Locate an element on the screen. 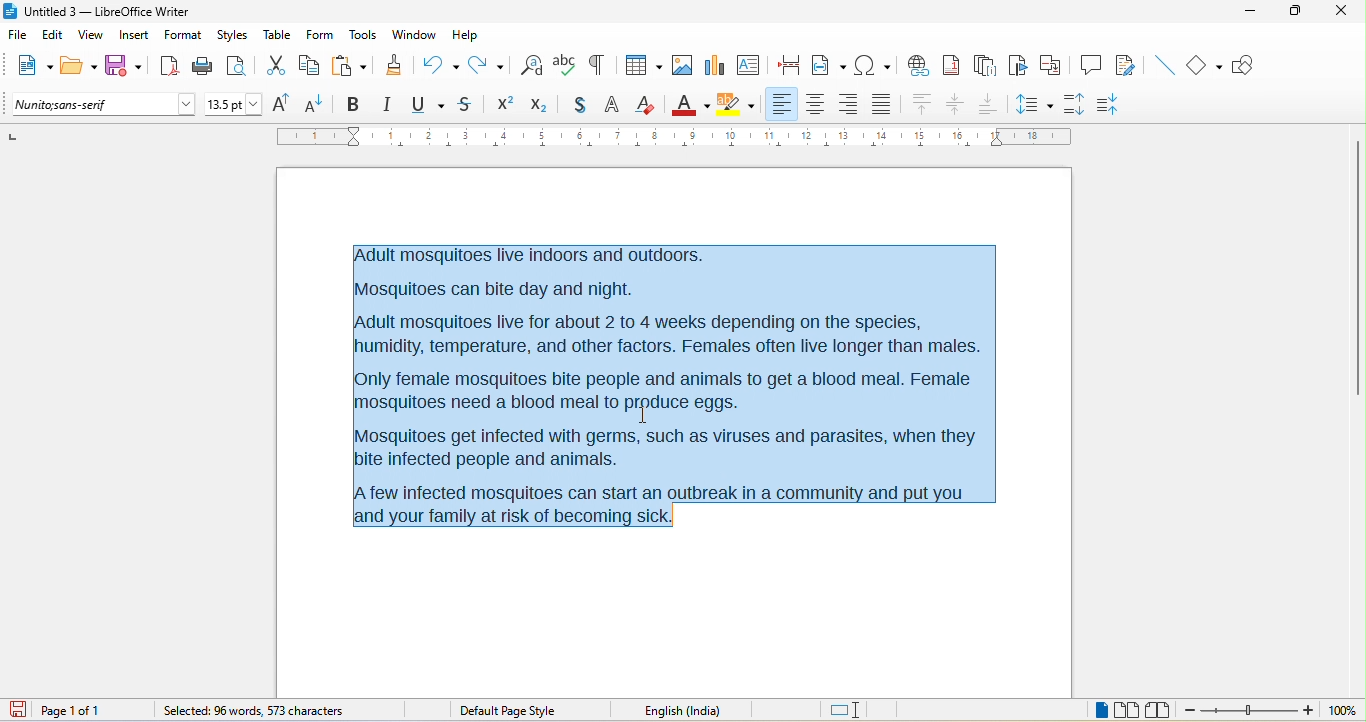 The width and height of the screenshot is (1366, 722). subscript is located at coordinates (537, 105).